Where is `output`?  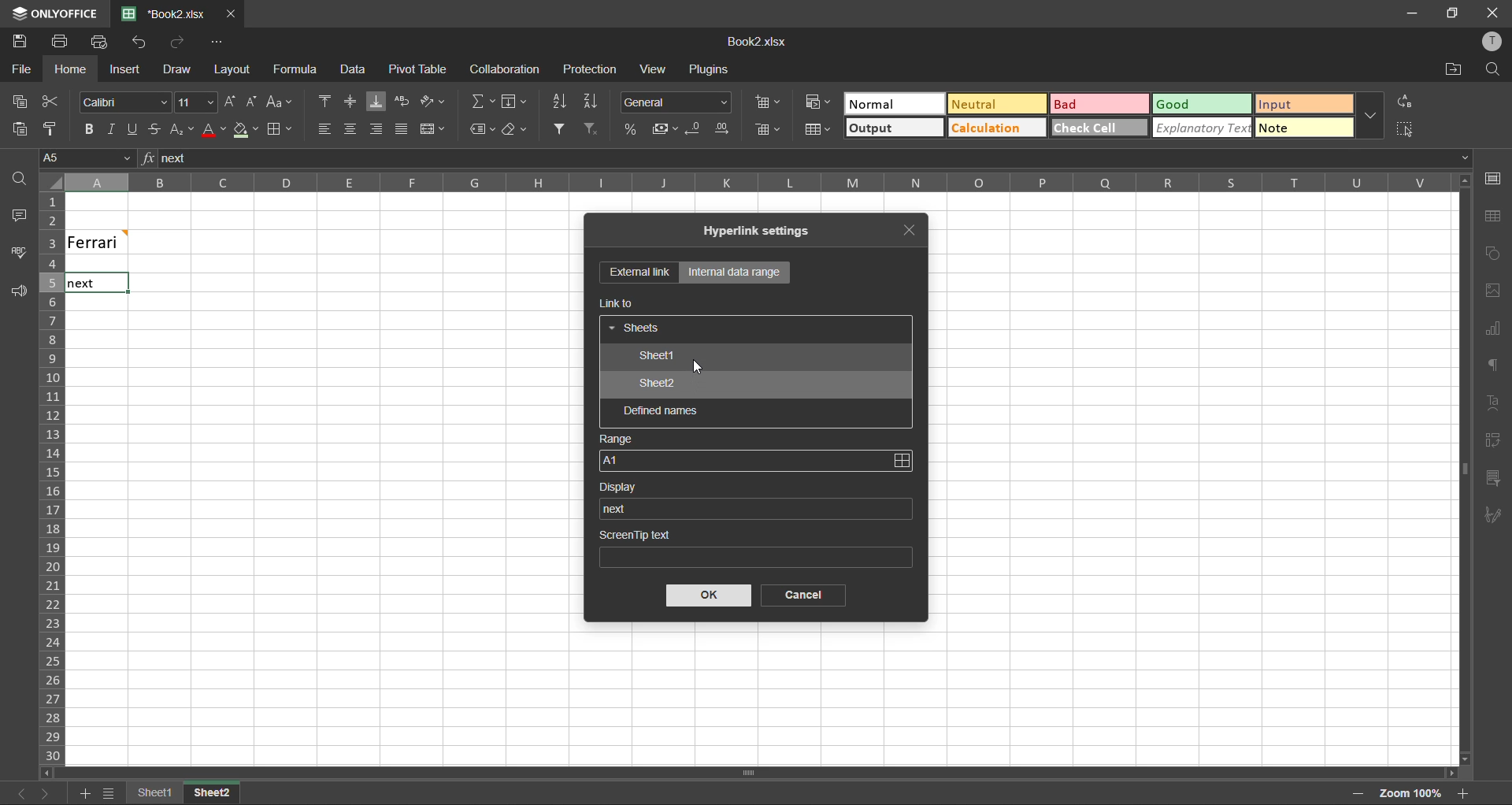 output is located at coordinates (894, 128).